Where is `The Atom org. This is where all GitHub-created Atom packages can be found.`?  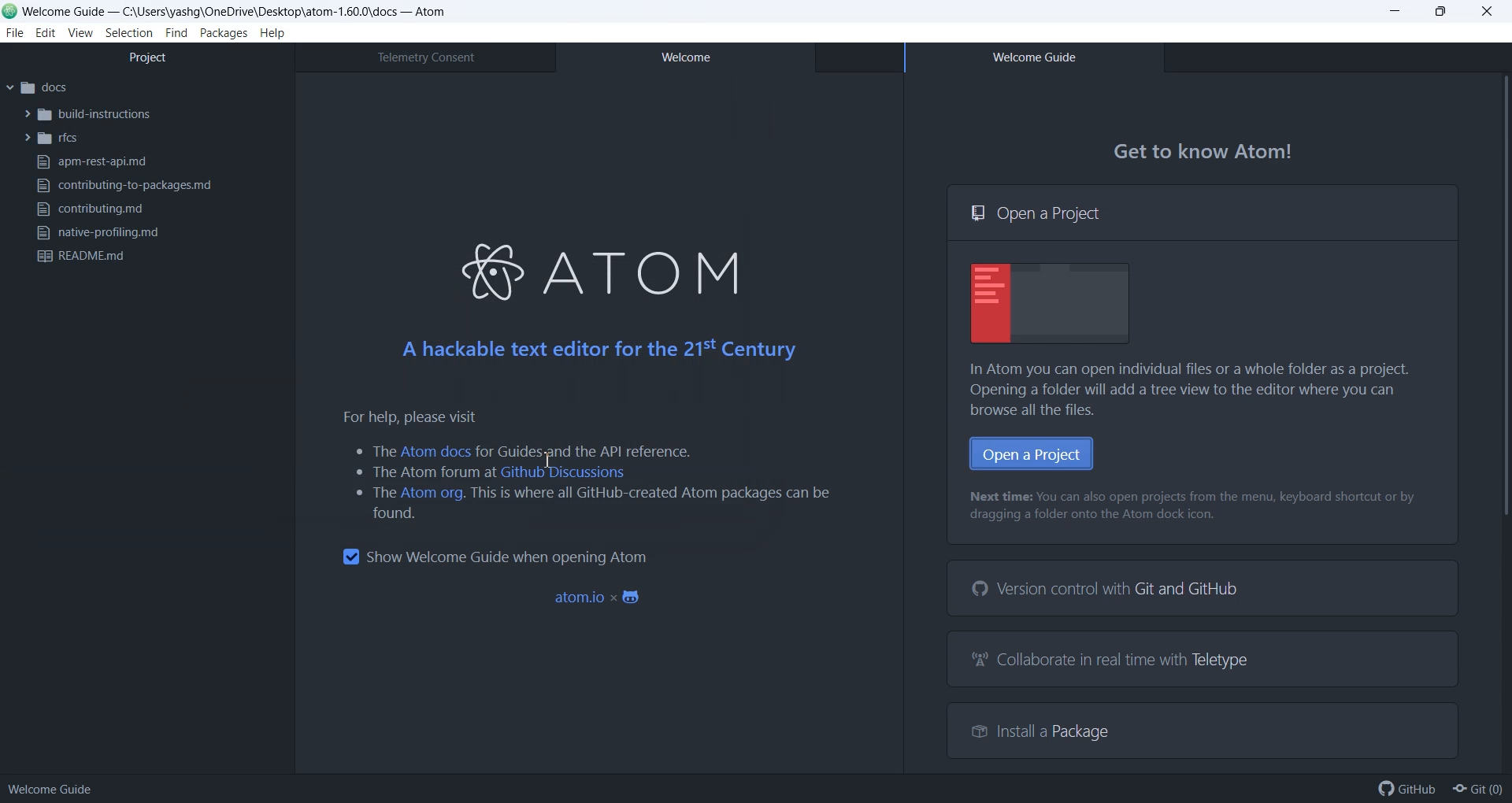 The Atom org. This is where all GitHub-created Atom packages can be found. is located at coordinates (586, 503).